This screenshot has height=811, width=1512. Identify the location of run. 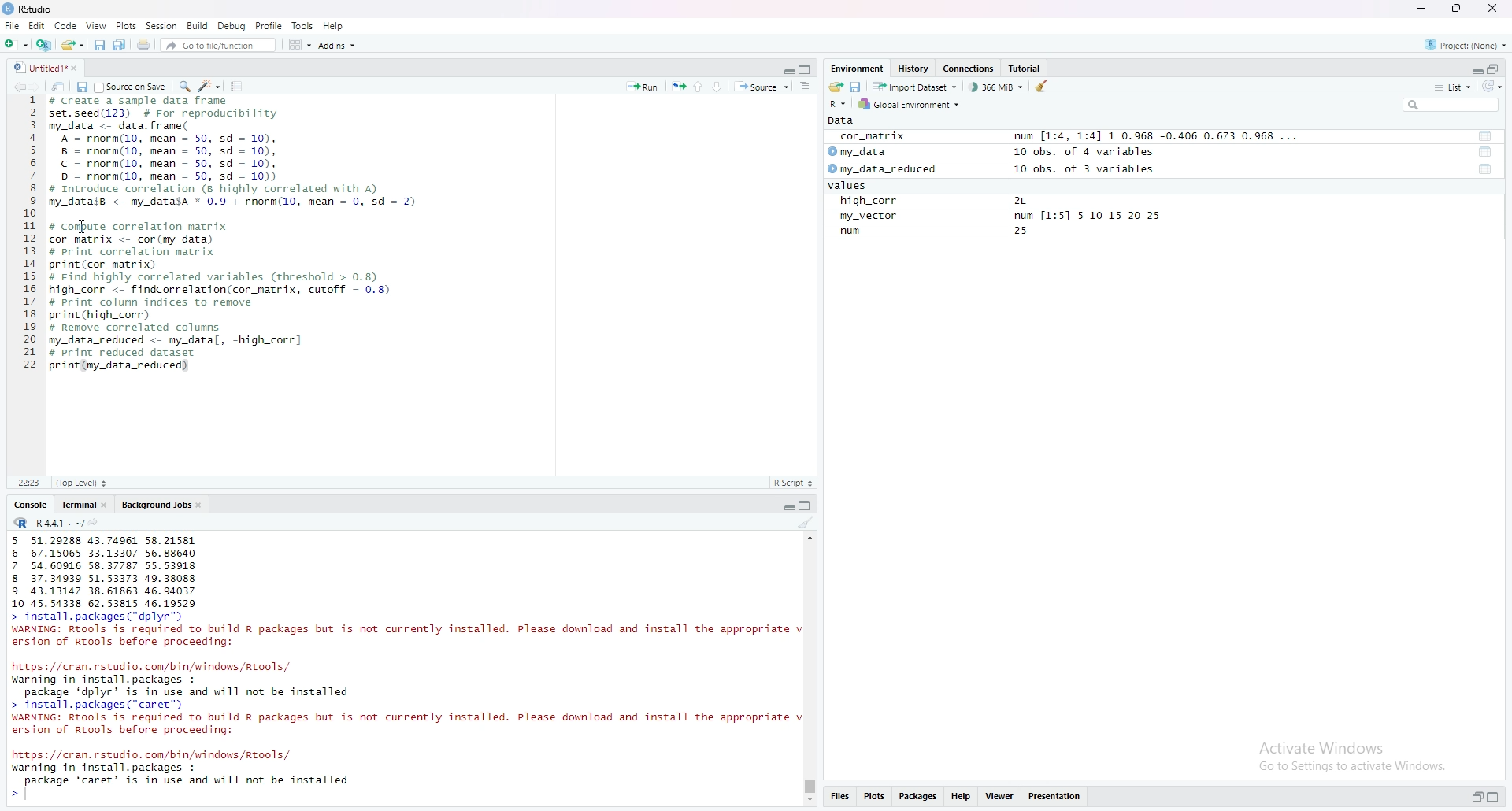
(679, 87).